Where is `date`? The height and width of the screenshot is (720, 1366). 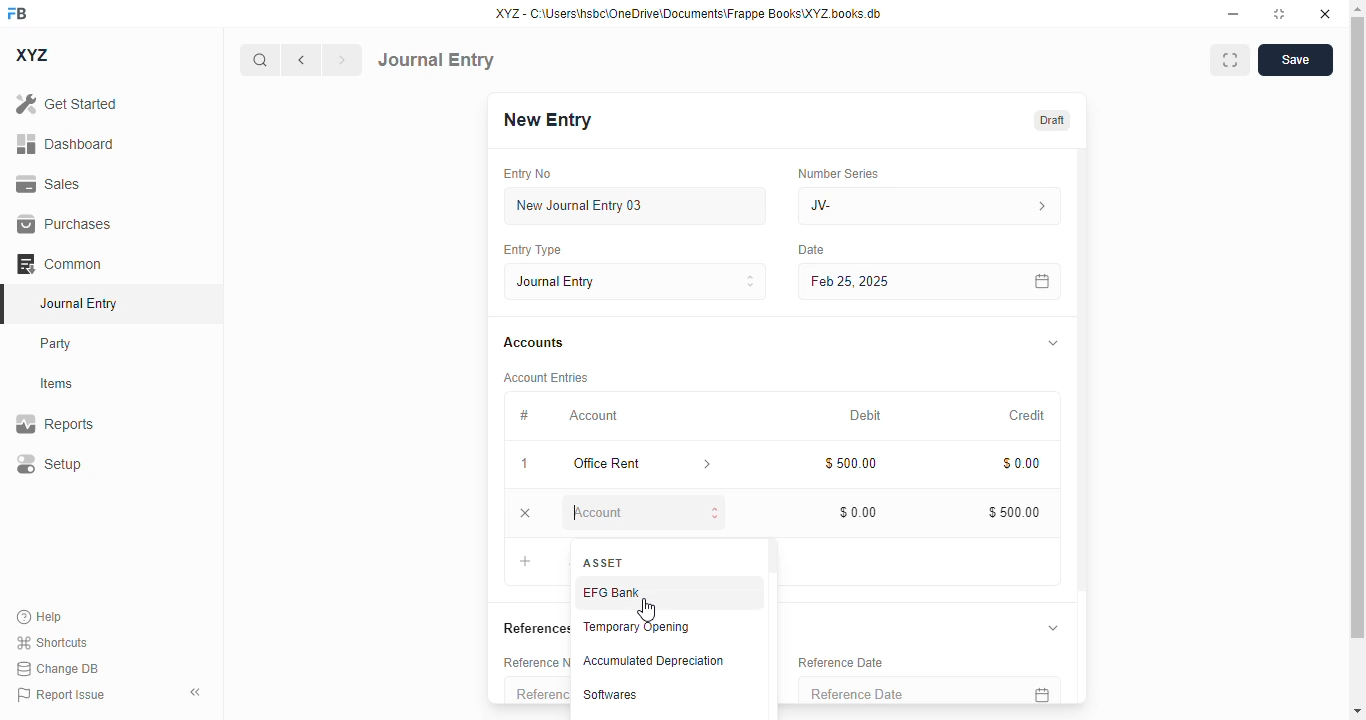 date is located at coordinates (815, 249).